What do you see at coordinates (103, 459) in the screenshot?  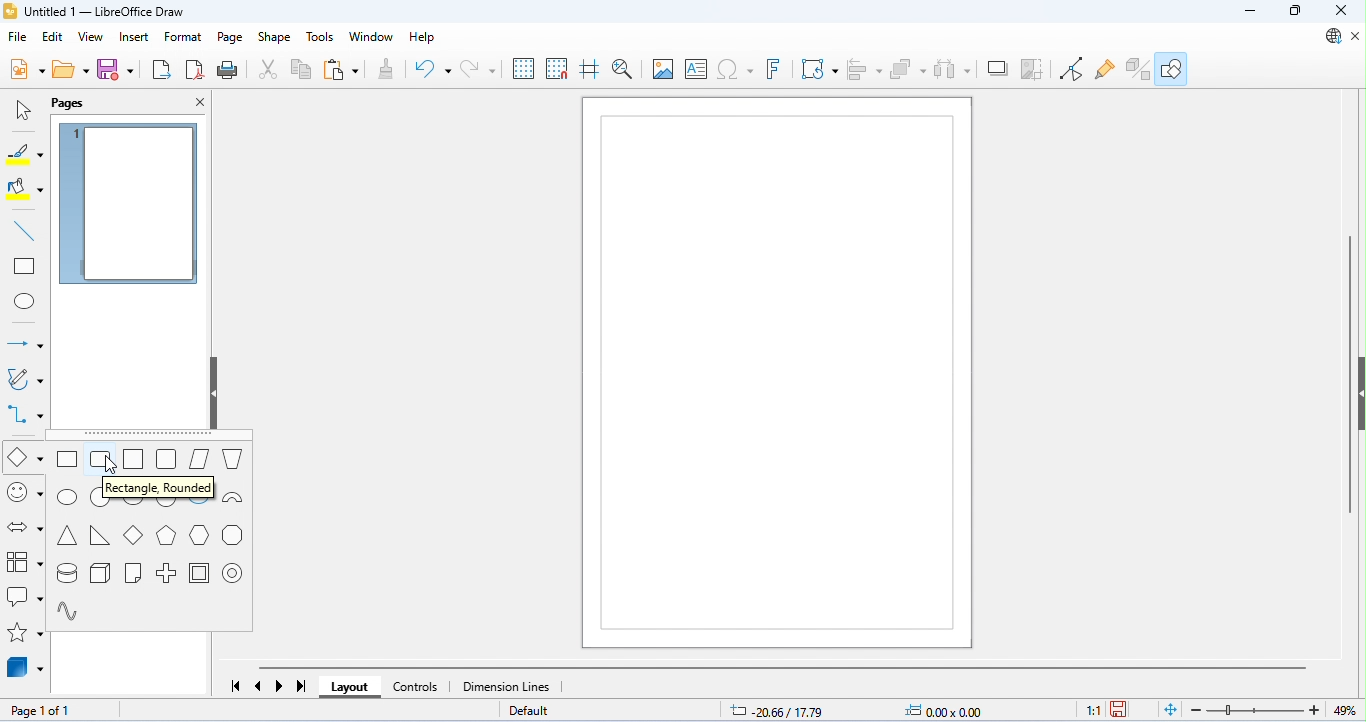 I see `rounded rectangle` at bounding box center [103, 459].